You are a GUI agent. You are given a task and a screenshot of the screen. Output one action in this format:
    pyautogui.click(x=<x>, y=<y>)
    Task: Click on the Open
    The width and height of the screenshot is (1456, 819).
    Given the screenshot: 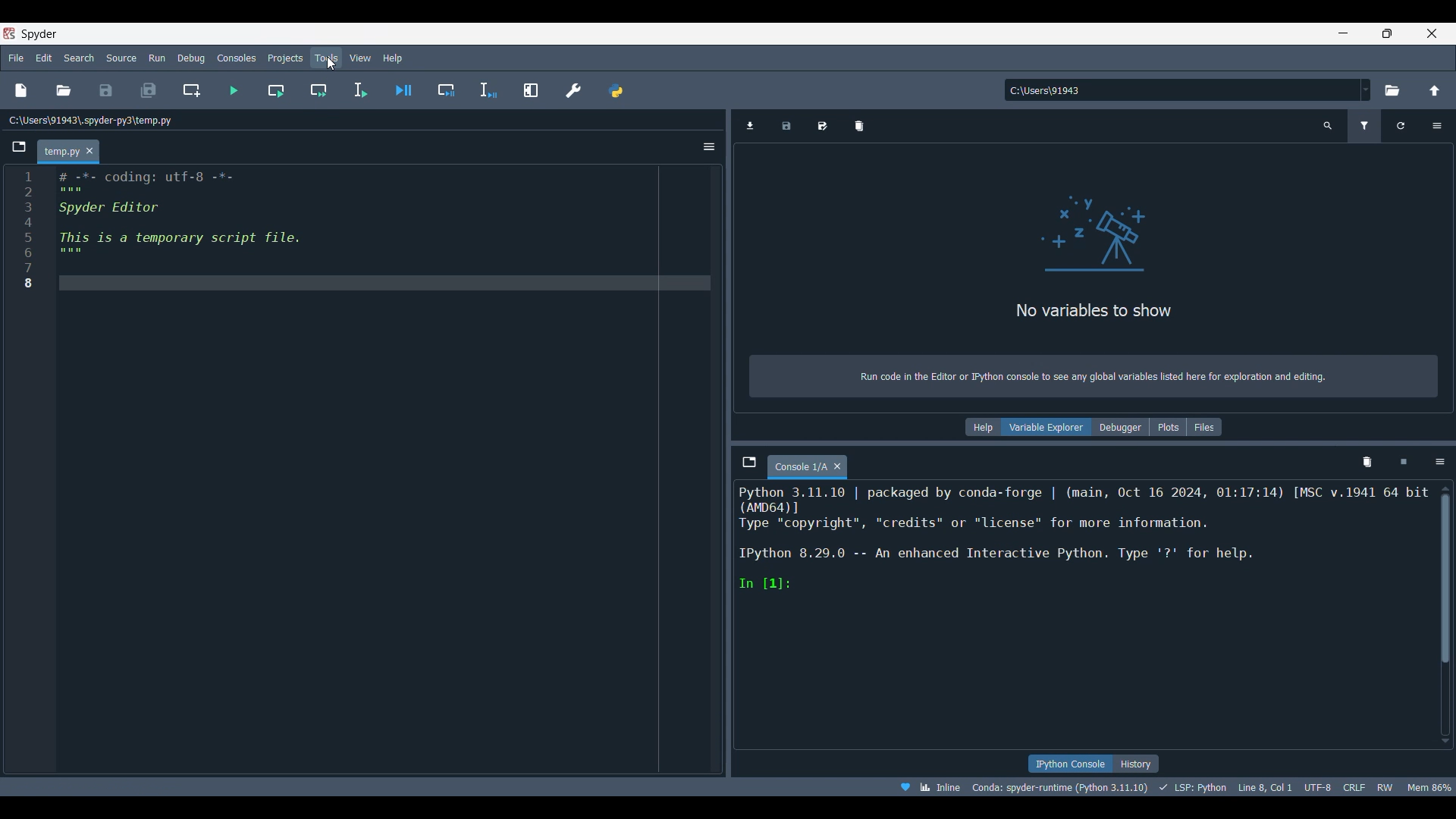 What is the action you would take?
    pyautogui.click(x=64, y=90)
    